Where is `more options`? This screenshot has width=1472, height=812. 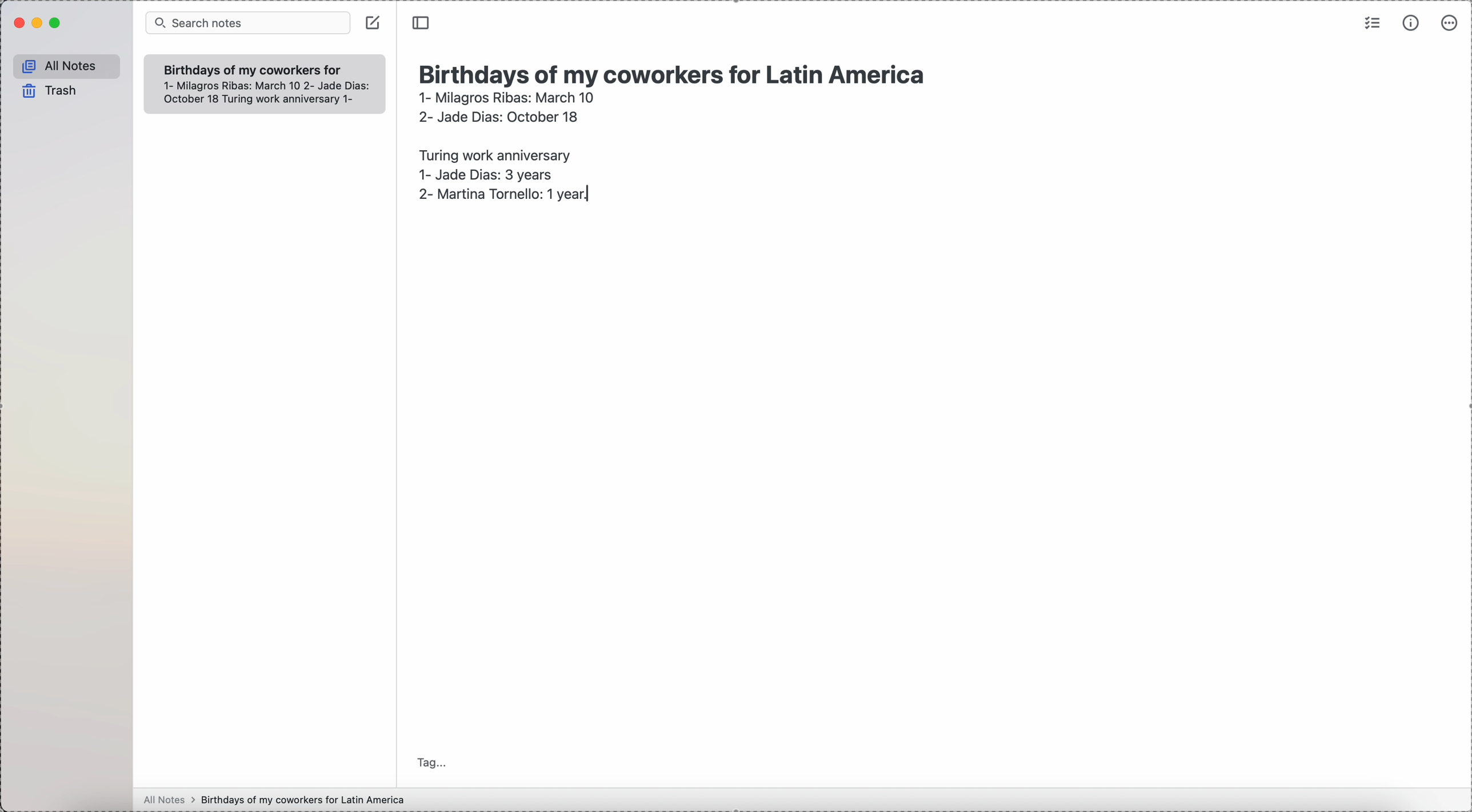 more options is located at coordinates (1451, 22).